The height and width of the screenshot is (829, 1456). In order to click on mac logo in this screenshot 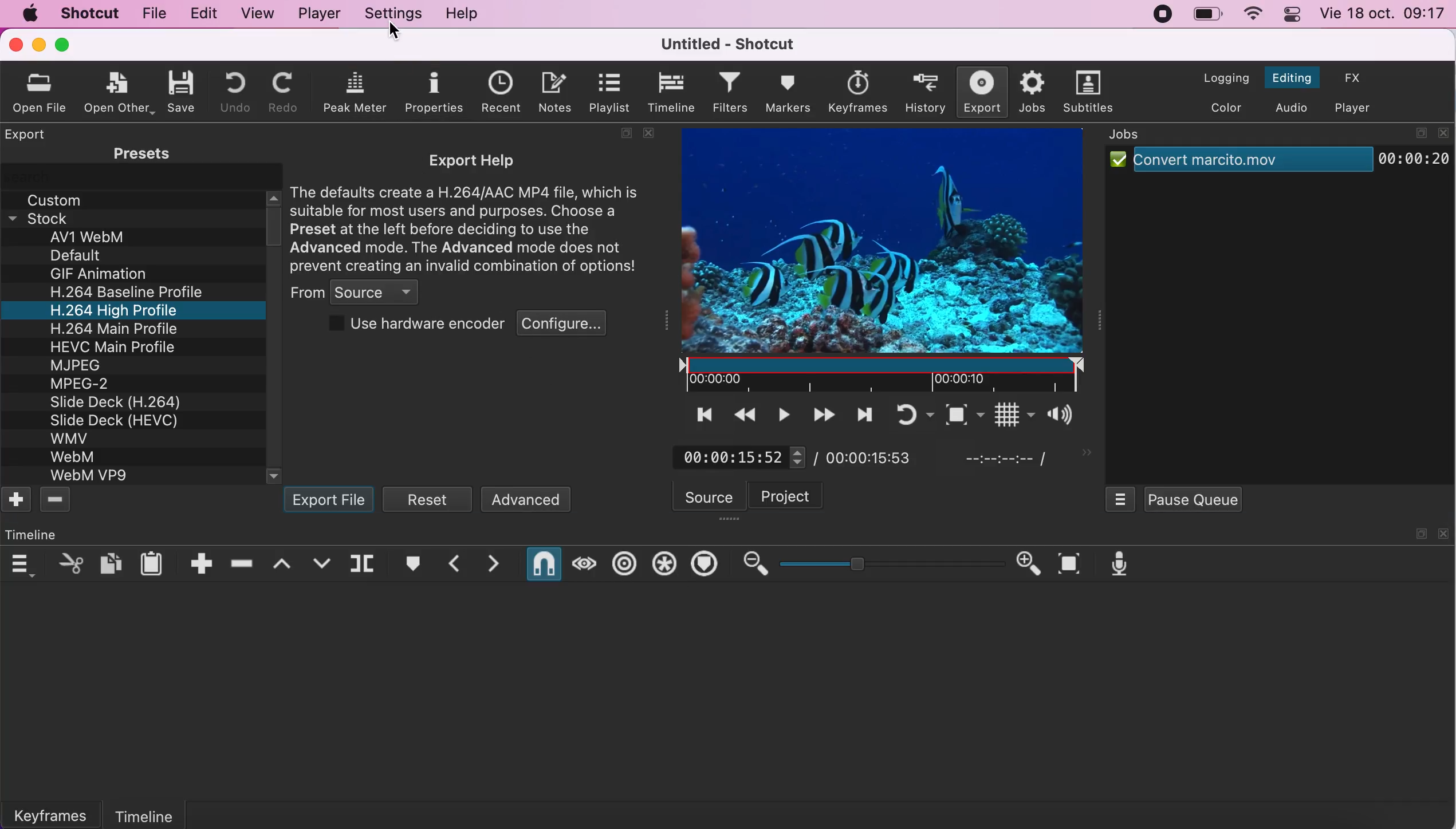, I will do `click(26, 13)`.